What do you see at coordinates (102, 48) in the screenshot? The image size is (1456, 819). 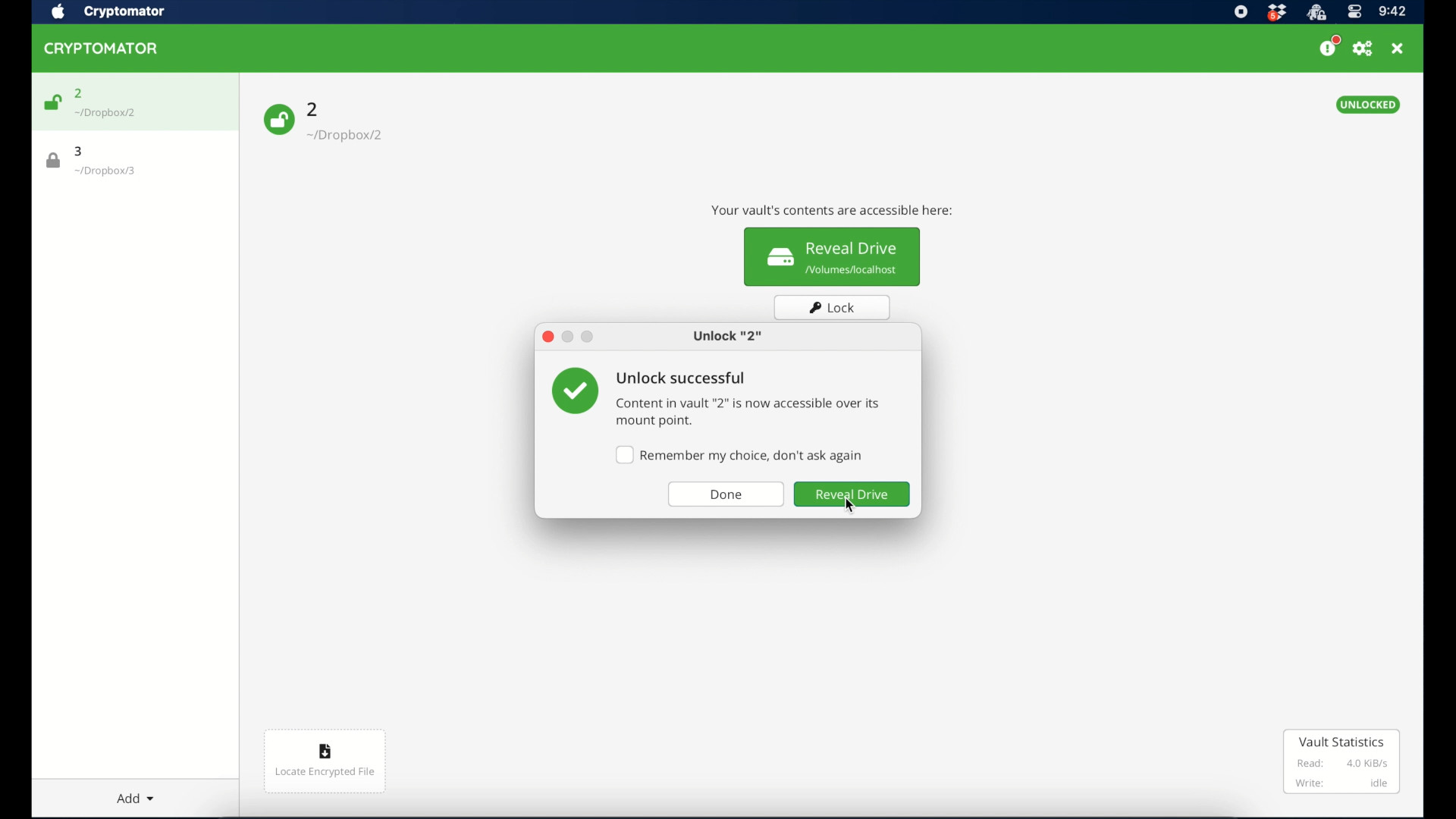 I see `cryptomator` at bounding box center [102, 48].